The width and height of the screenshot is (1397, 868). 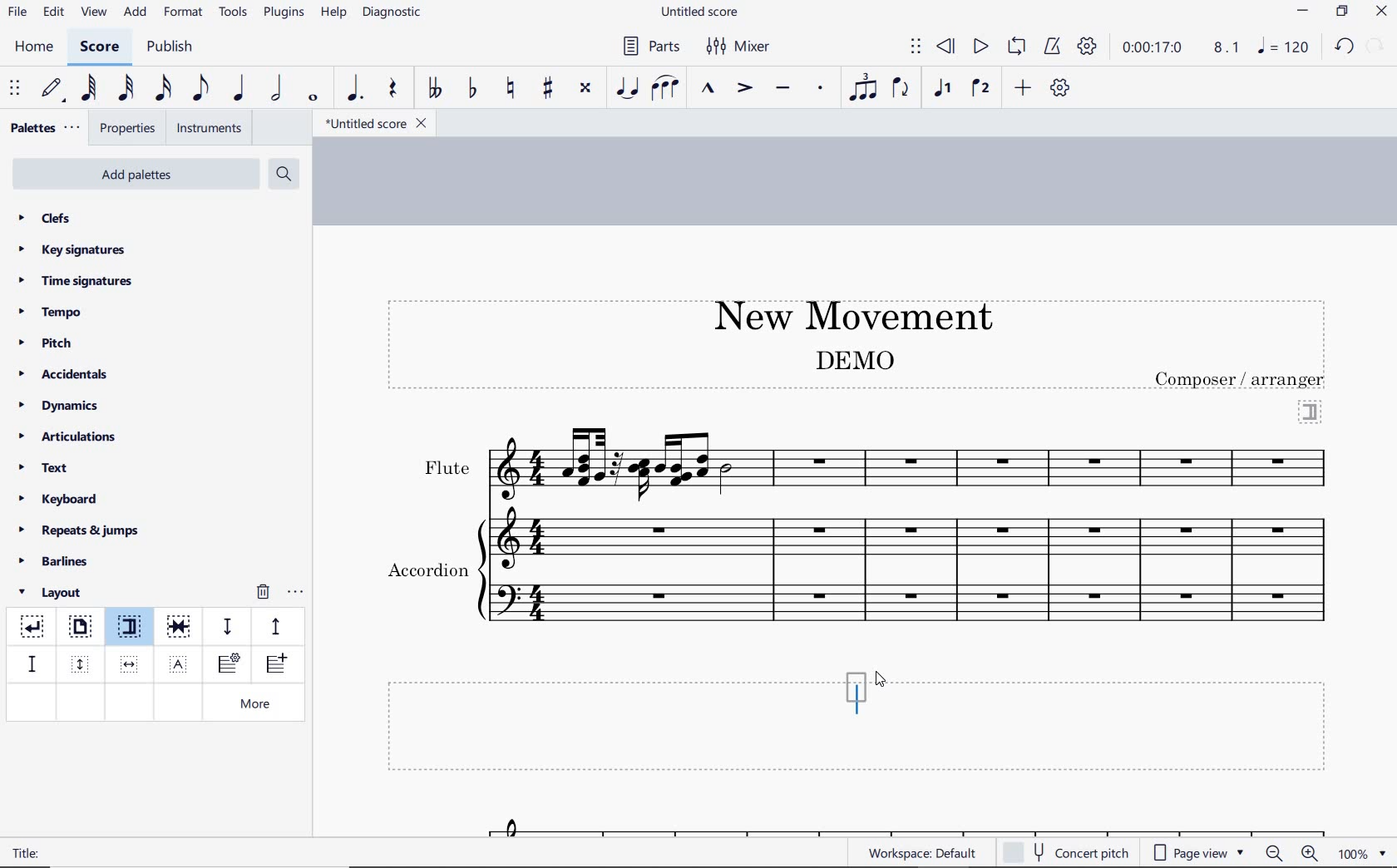 What do you see at coordinates (1343, 12) in the screenshot?
I see `restore down` at bounding box center [1343, 12].